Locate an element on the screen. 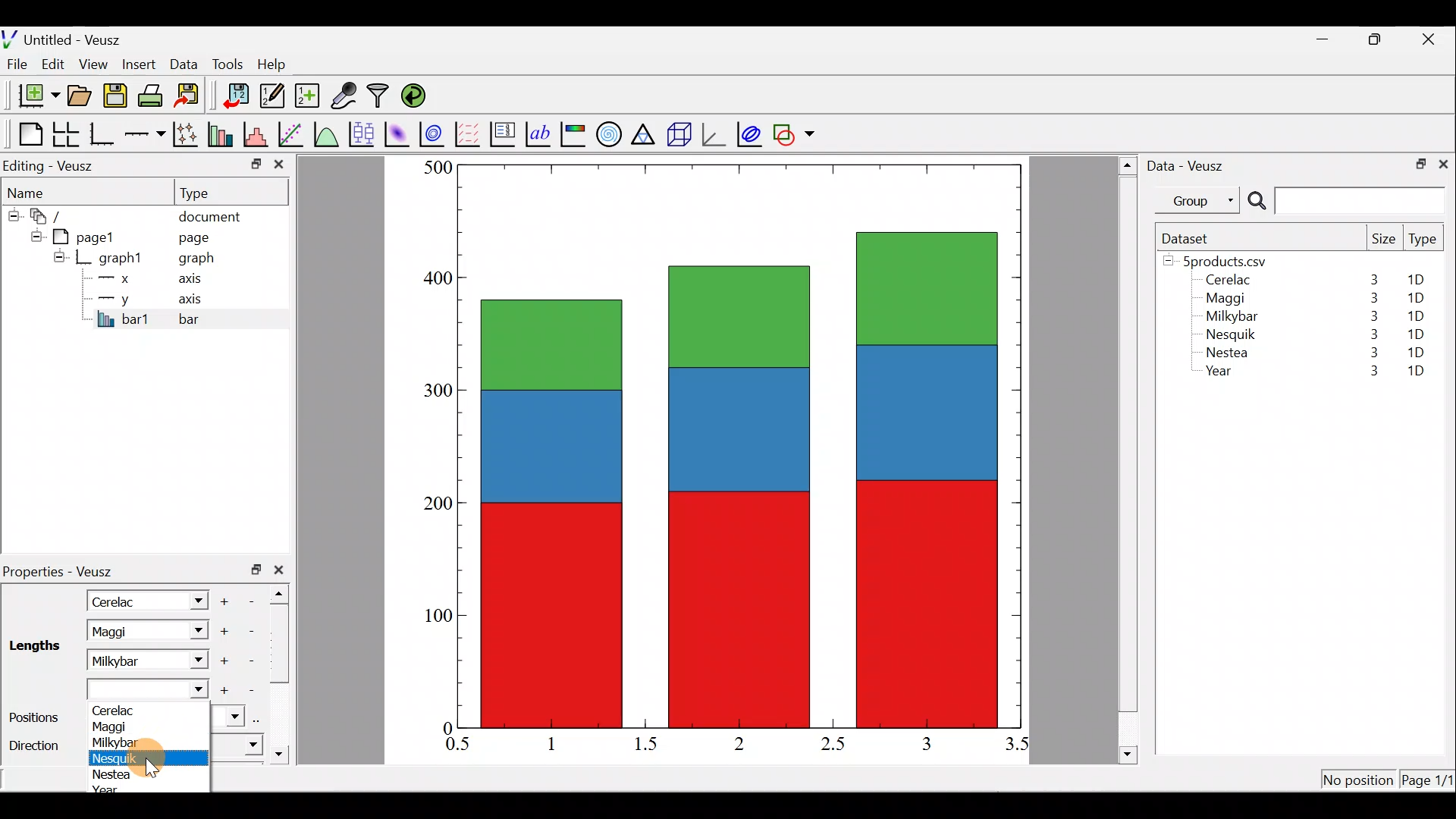  pagel is located at coordinates (90, 235).